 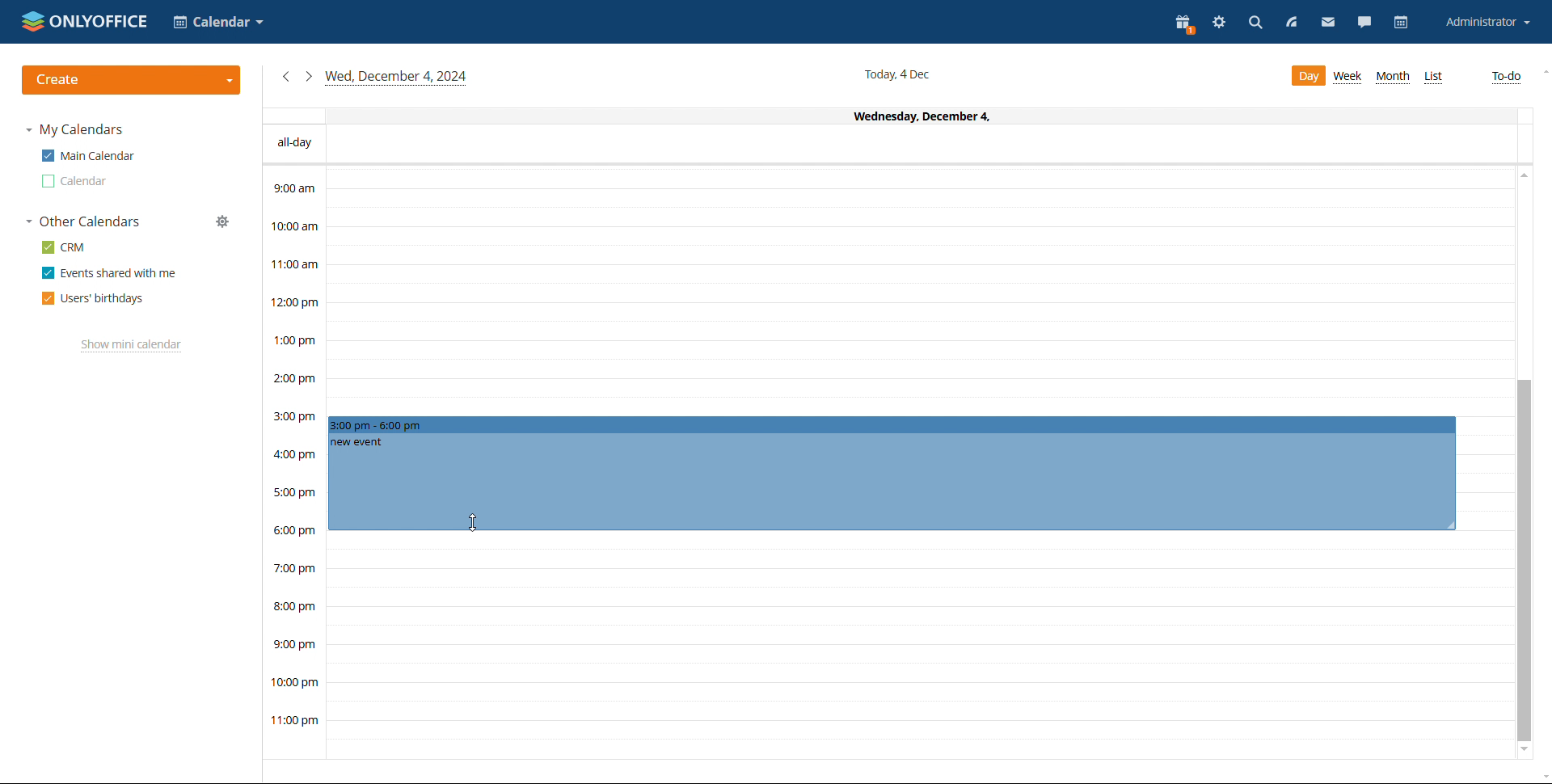 I want to click on all-day events, so click(x=889, y=145).